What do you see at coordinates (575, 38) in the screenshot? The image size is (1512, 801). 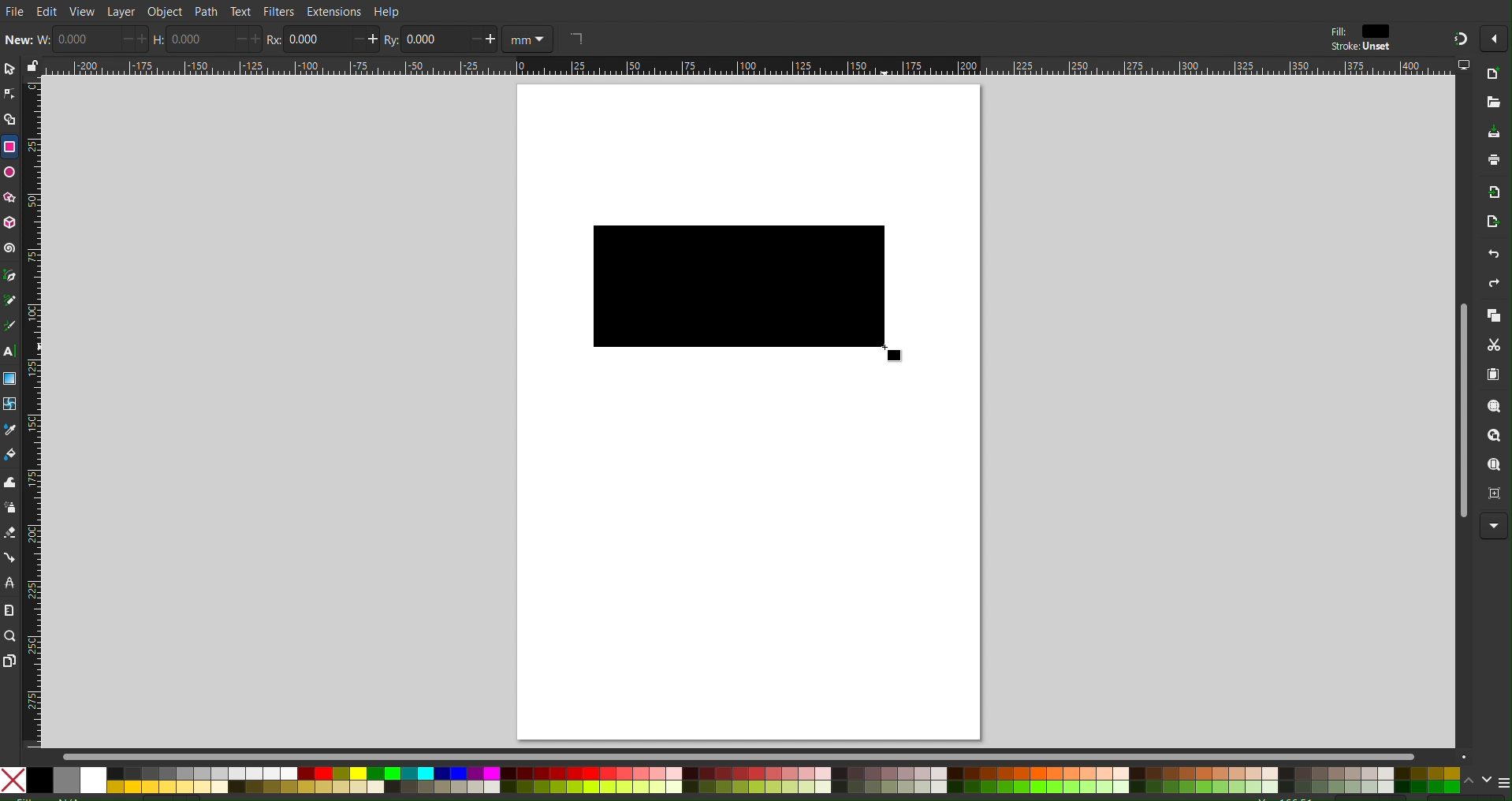 I see `rectangle shape` at bounding box center [575, 38].